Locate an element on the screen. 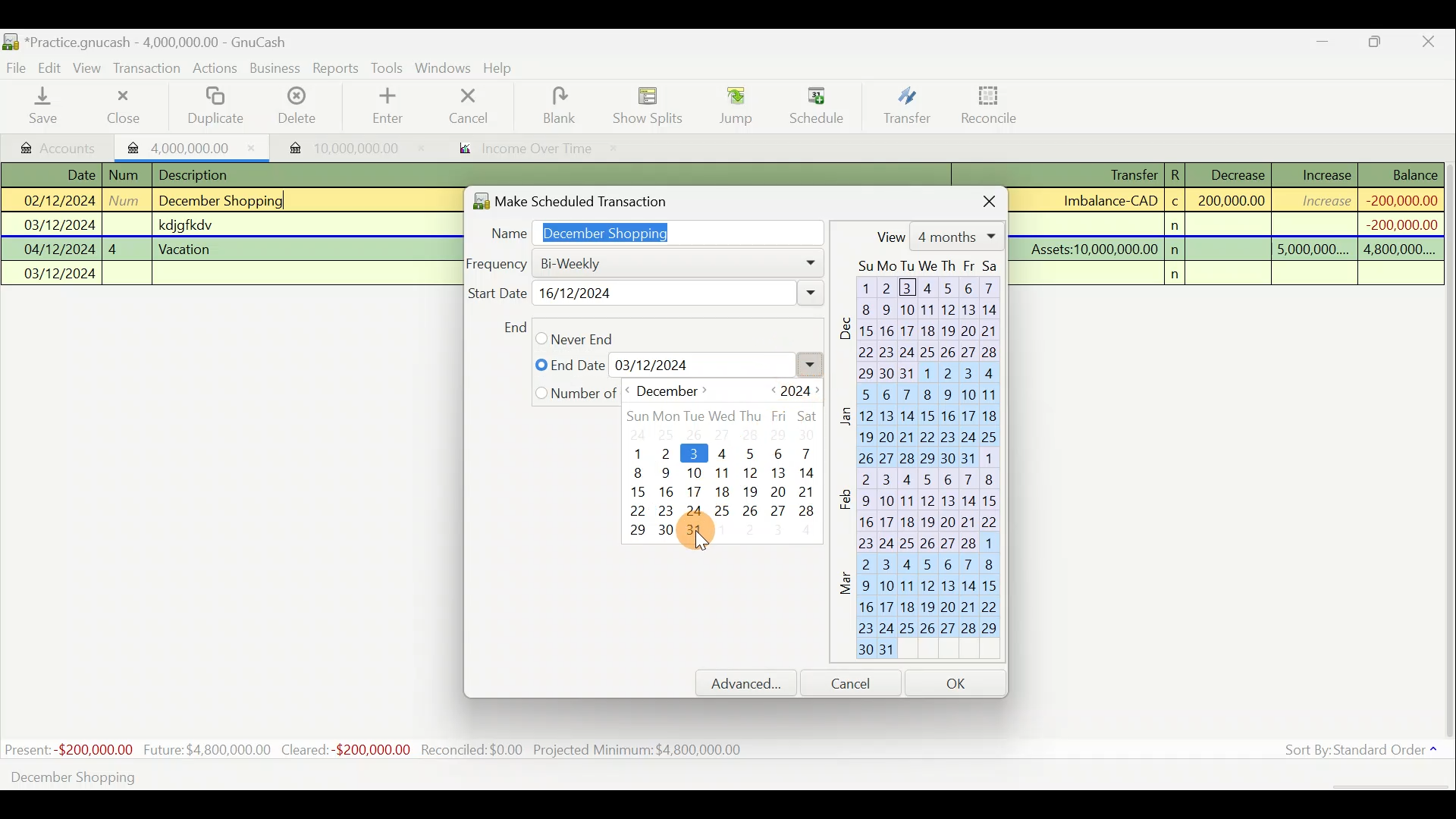 The image size is (1456, 819). Maximise is located at coordinates (1376, 44).